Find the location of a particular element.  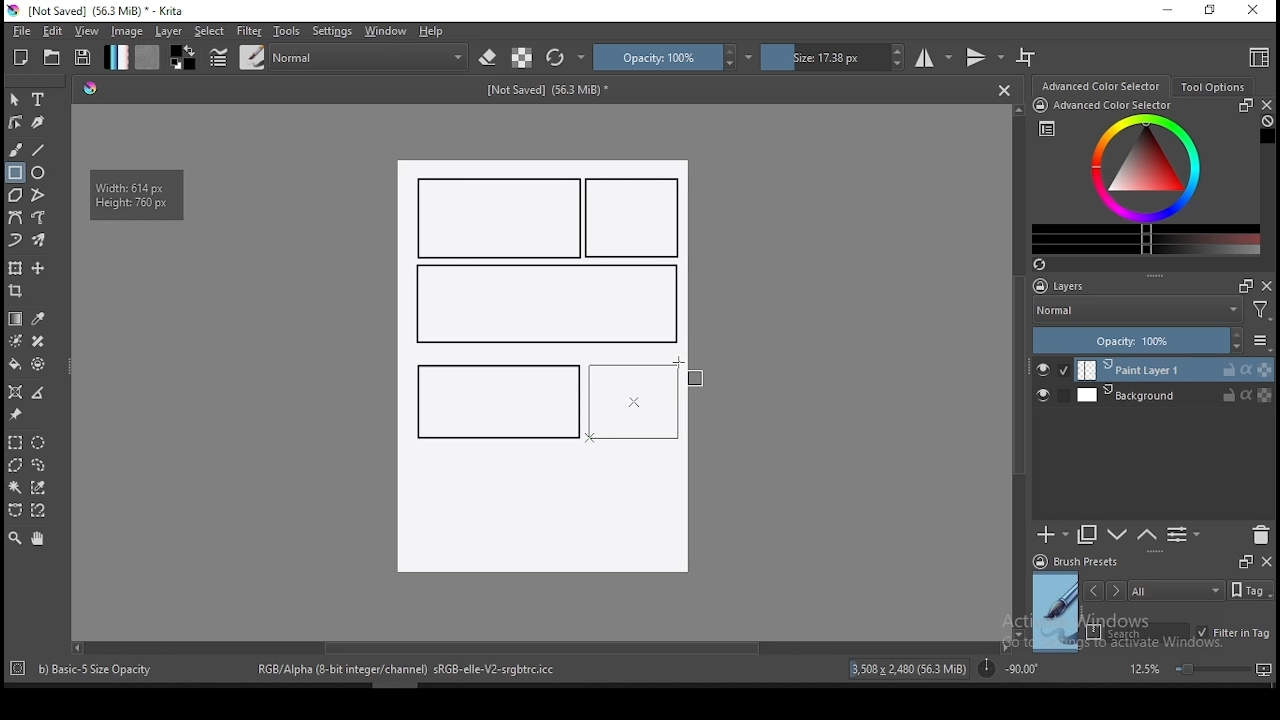

wrap around mode is located at coordinates (1027, 57).